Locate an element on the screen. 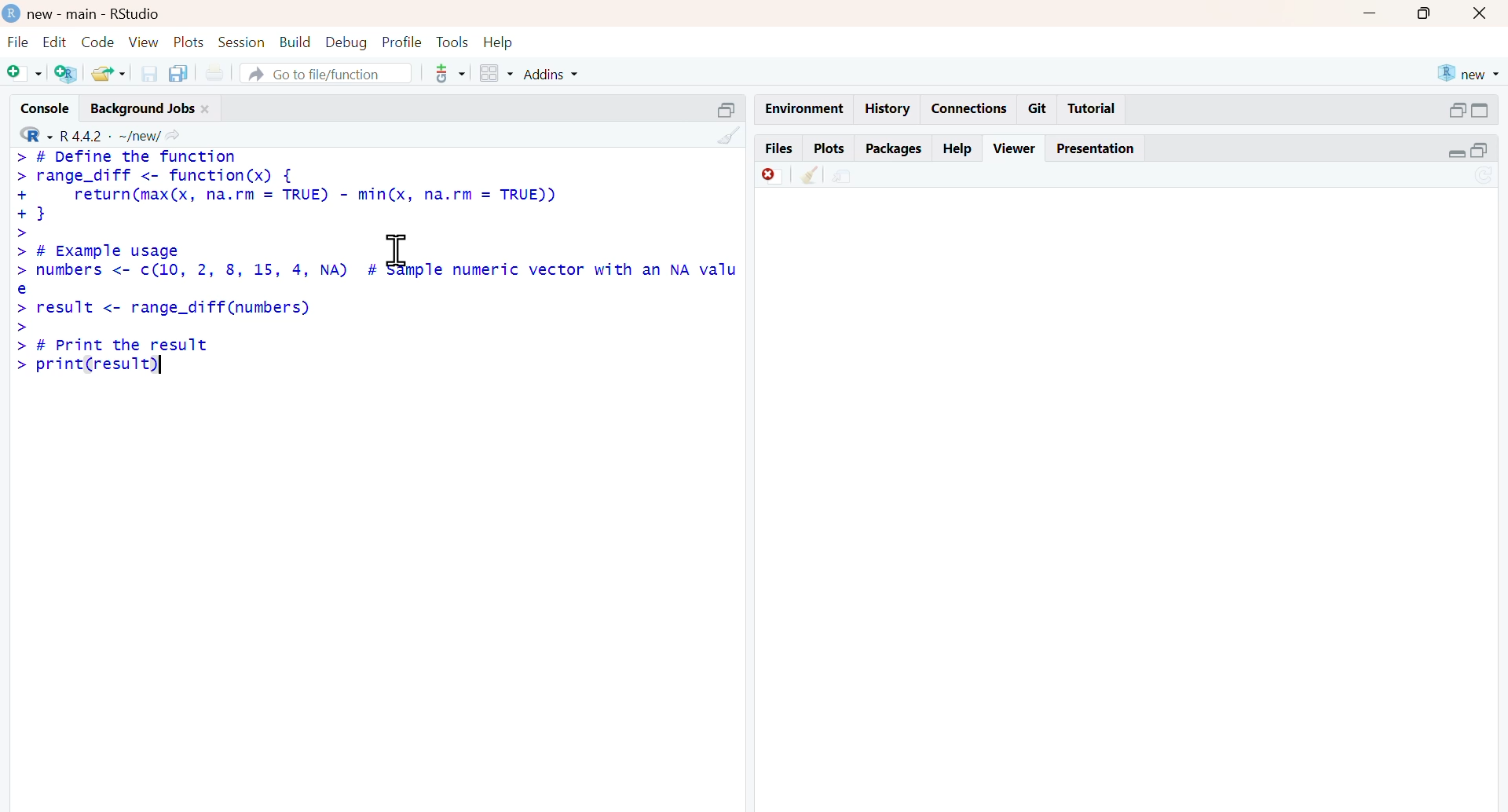  copy is located at coordinates (178, 73).